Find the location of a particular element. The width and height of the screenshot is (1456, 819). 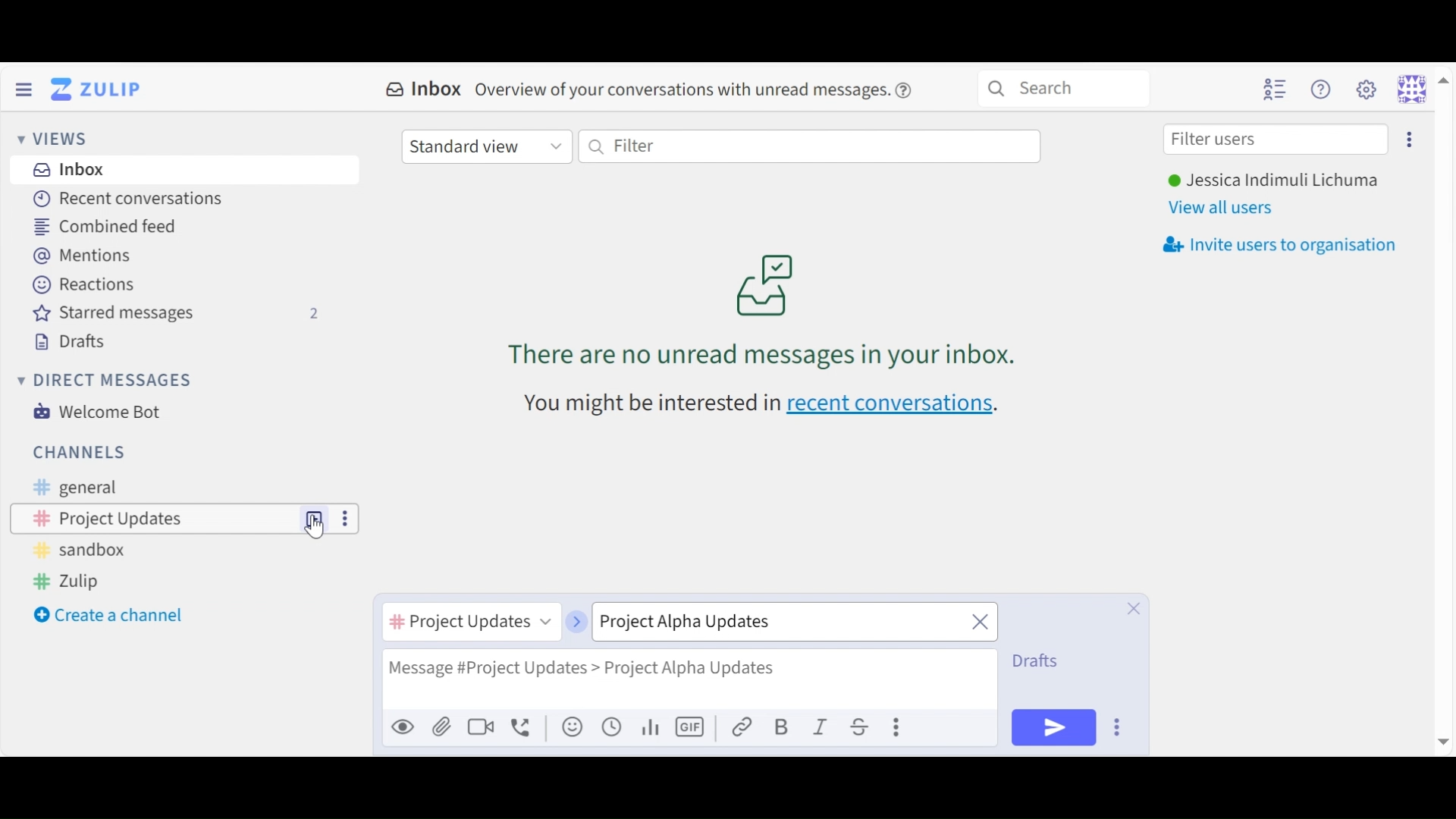

Recent Conversations is located at coordinates (130, 199).